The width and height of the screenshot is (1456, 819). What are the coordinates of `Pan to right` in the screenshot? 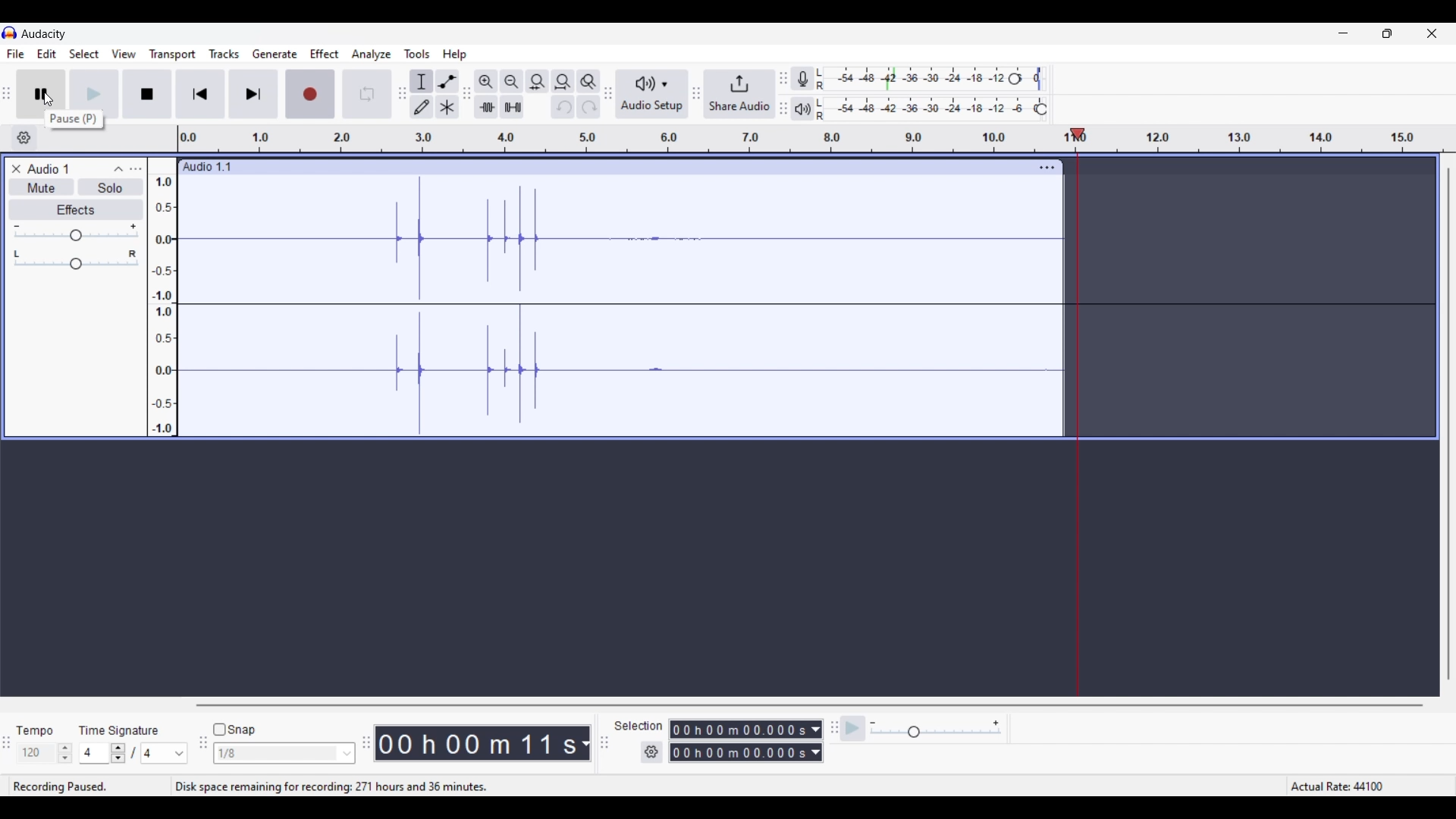 It's located at (133, 254).